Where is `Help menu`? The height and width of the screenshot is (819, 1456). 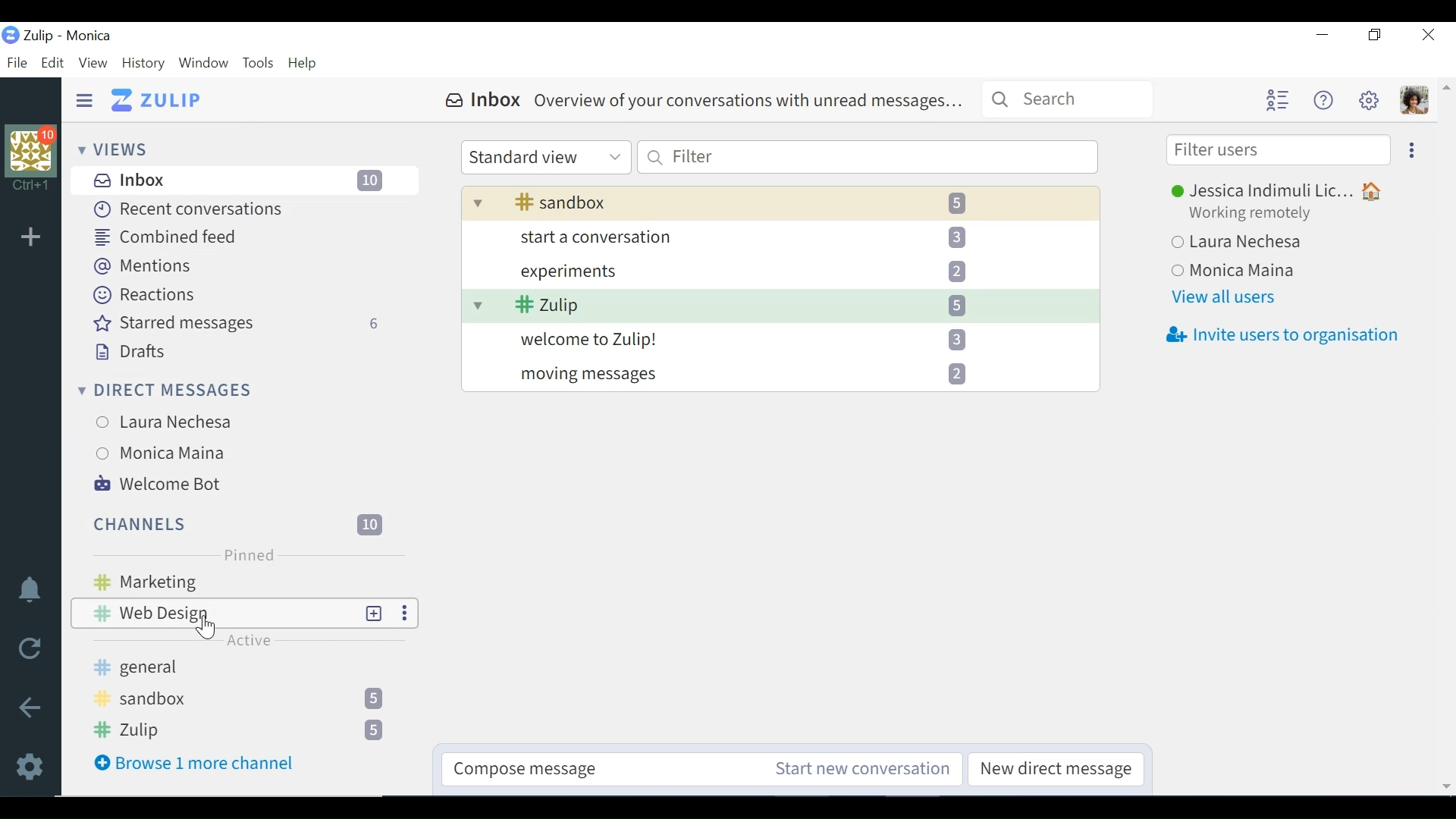
Help menu is located at coordinates (1322, 100).